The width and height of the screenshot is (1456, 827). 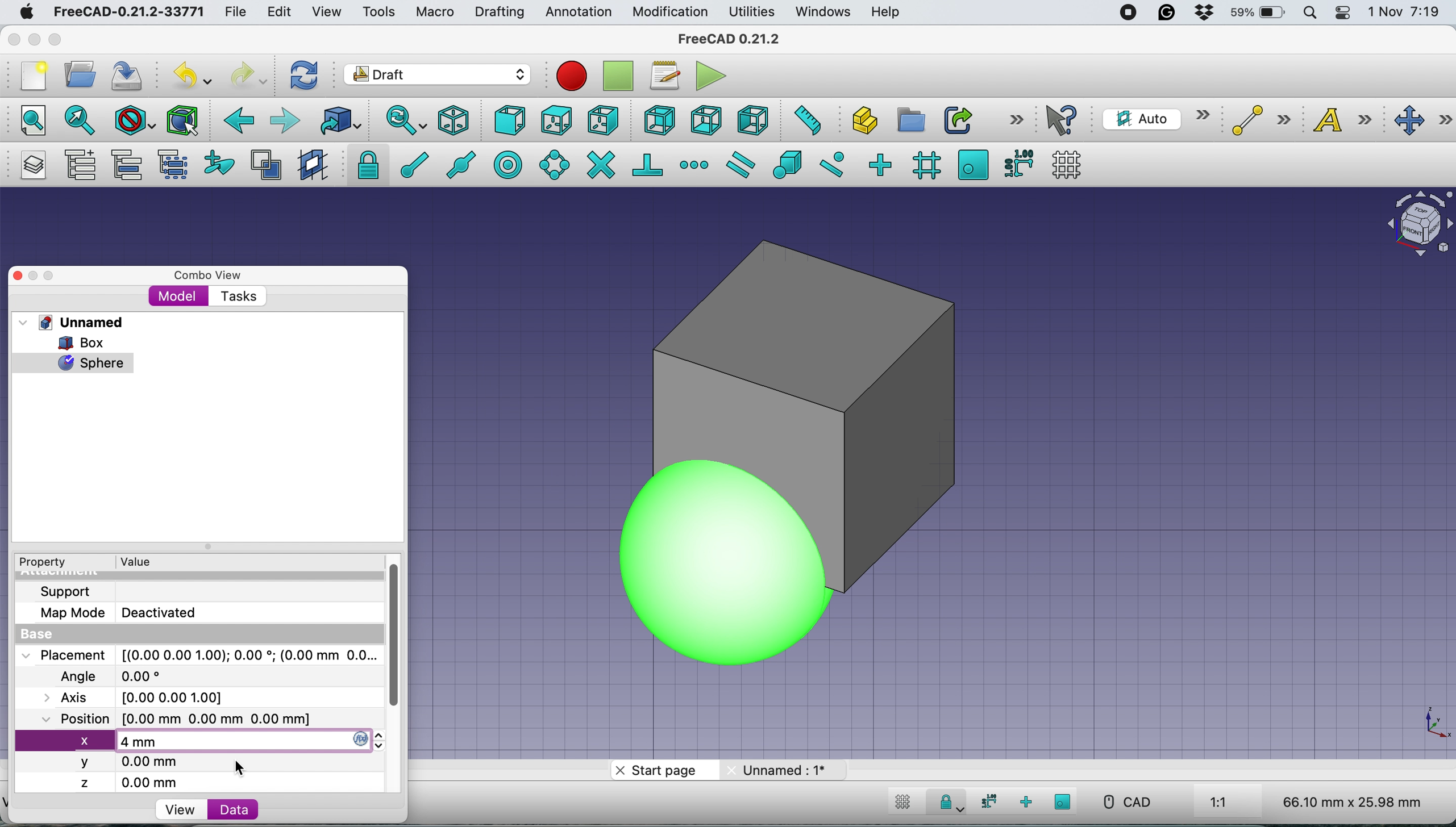 What do you see at coordinates (340, 120) in the screenshot?
I see `go to linked object` at bounding box center [340, 120].